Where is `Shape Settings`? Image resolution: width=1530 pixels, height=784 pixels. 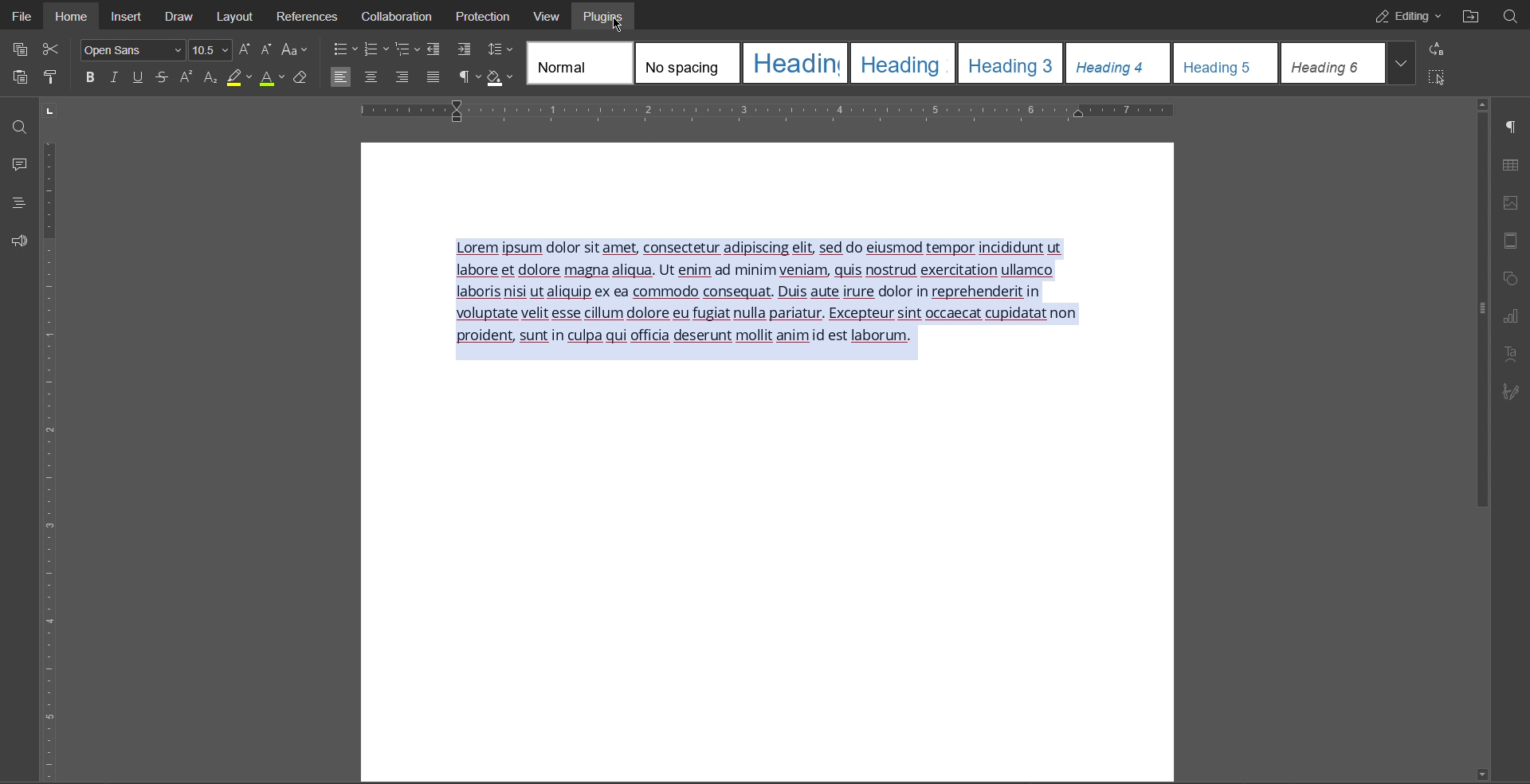
Shape Settings is located at coordinates (1512, 278).